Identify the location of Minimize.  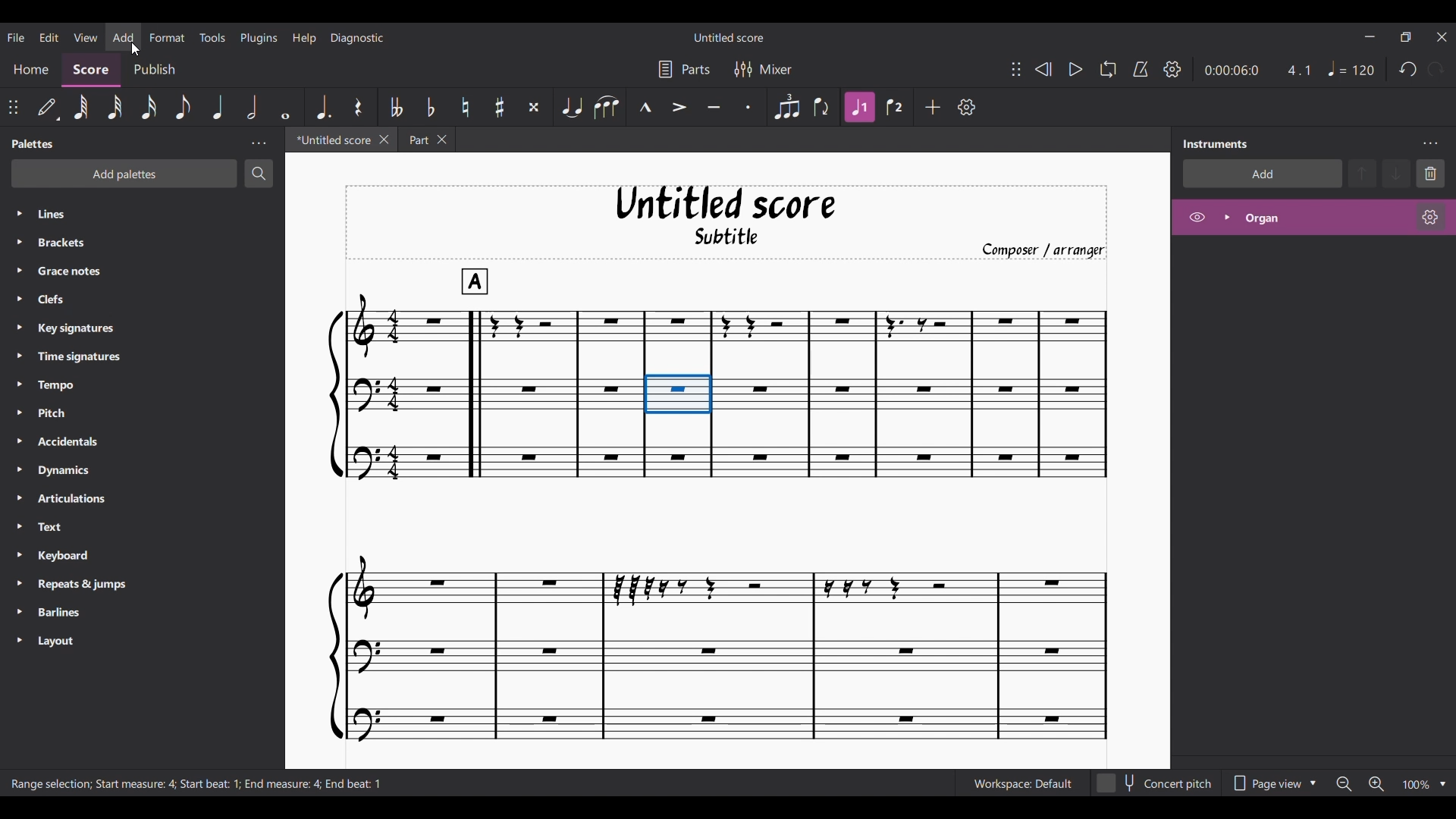
(1370, 36).